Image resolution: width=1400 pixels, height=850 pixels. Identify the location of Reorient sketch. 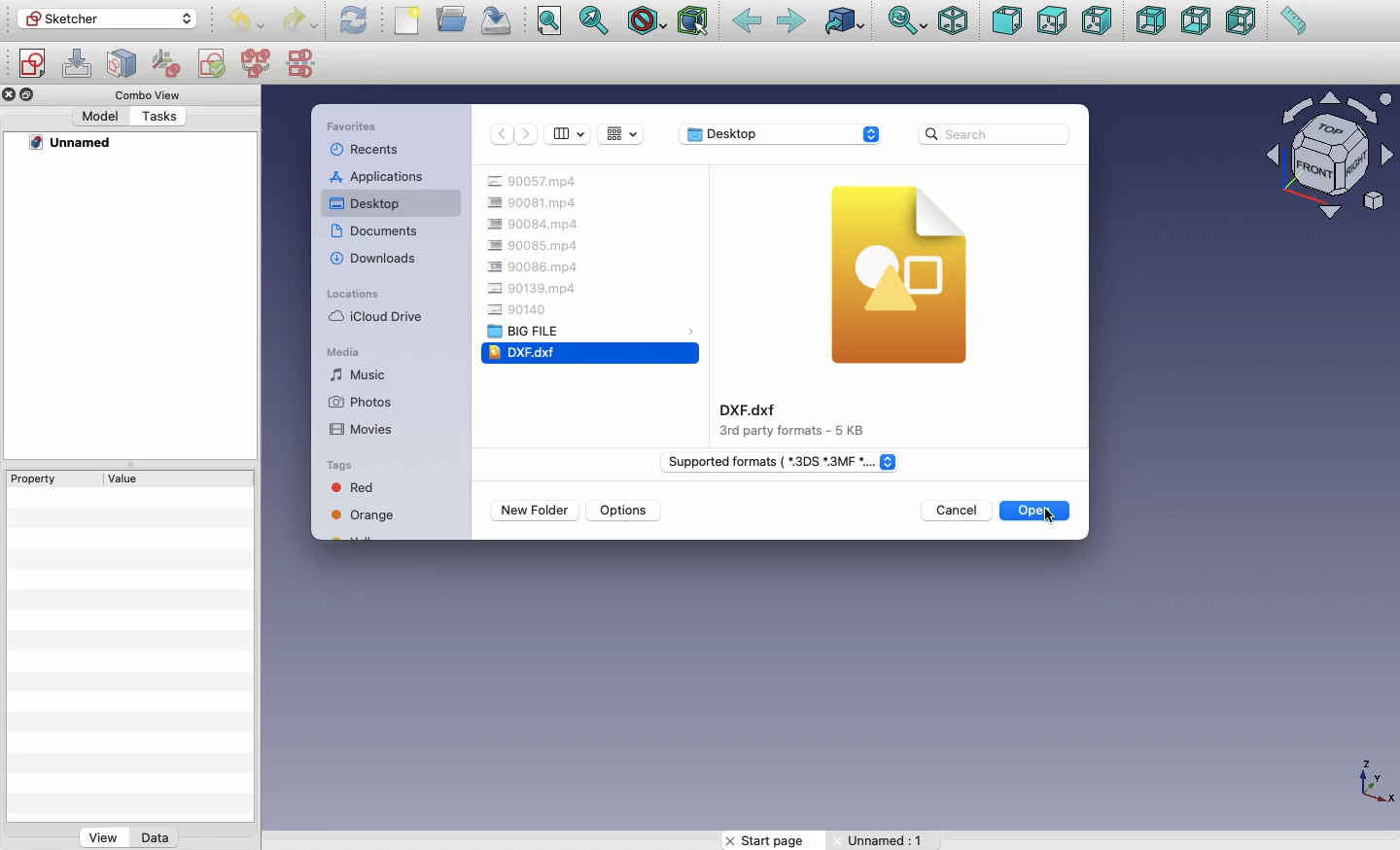
(168, 62).